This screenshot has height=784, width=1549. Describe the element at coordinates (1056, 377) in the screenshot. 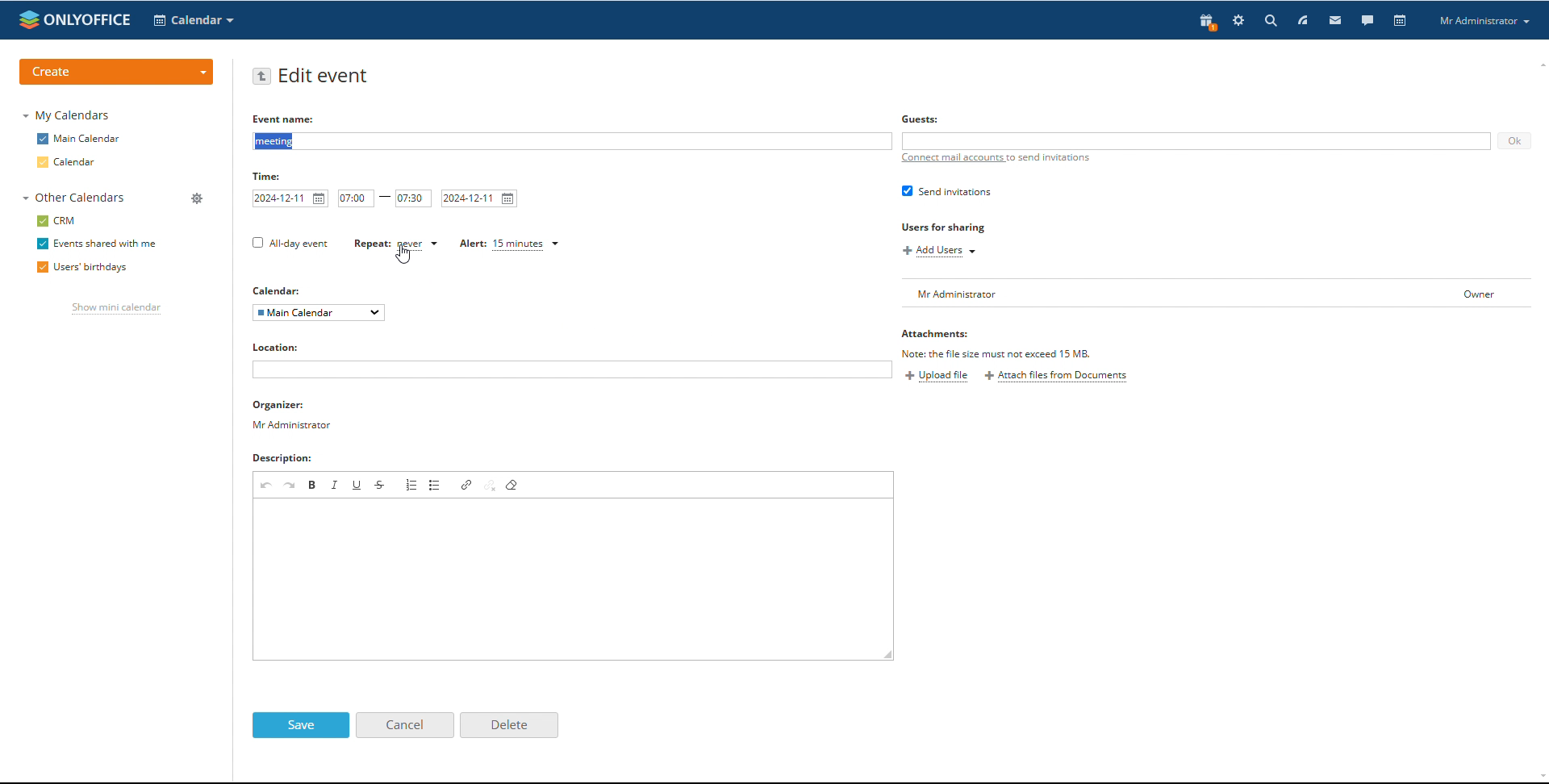

I see `attach files from documents` at that location.